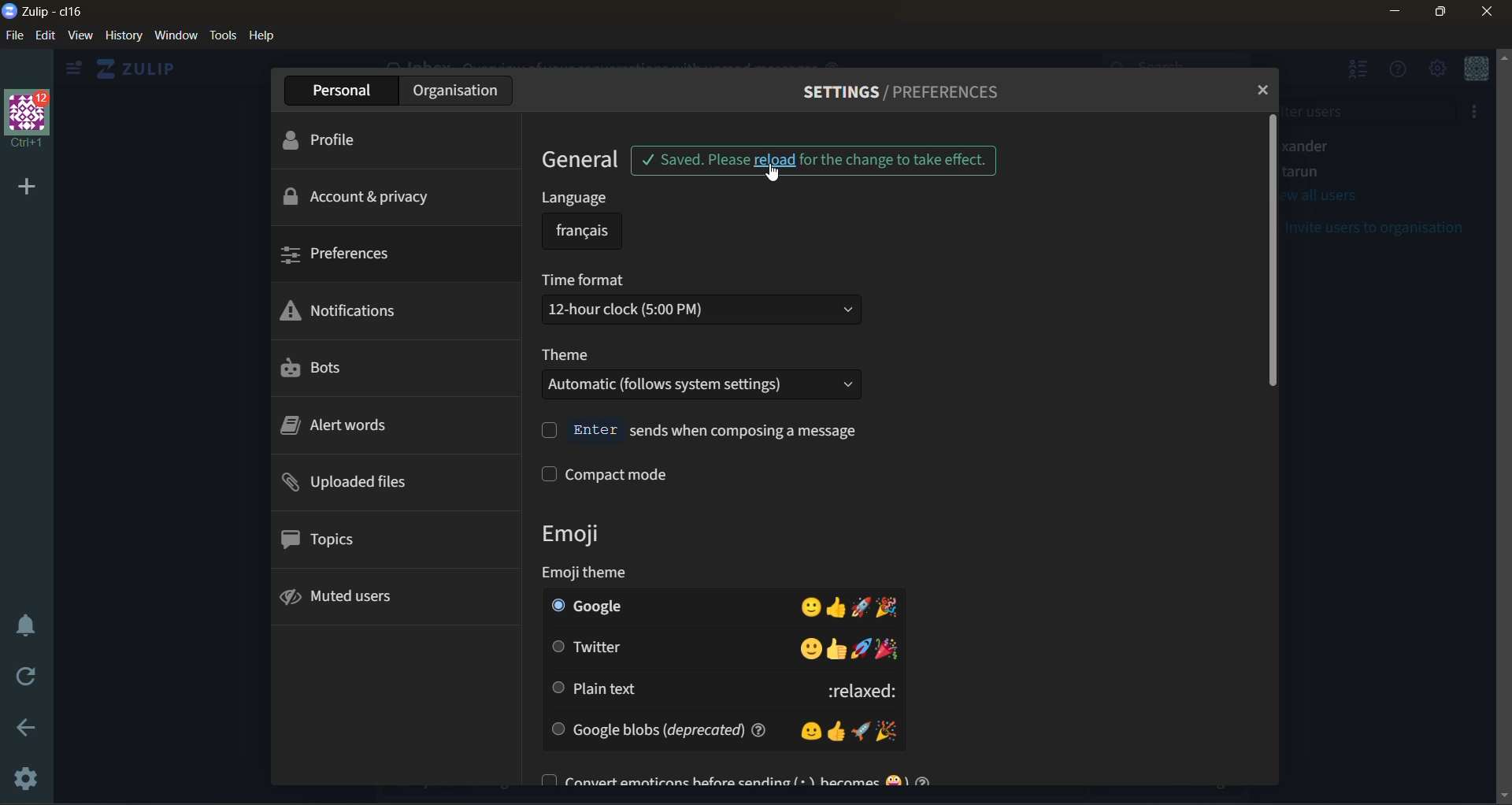 Image resolution: width=1512 pixels, height=805 pixels. I want to click on organization, so click(468, 89).